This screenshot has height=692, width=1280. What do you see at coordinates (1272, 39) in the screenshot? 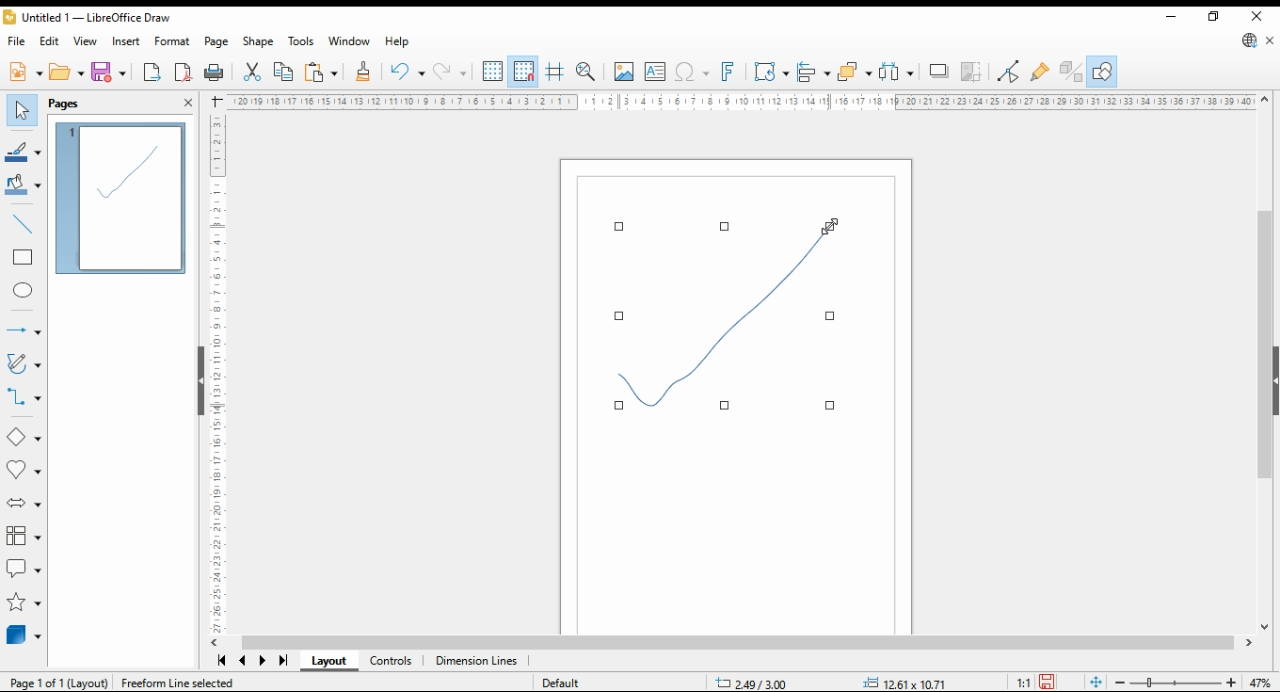
I see `close document` at bounding box center [1272, 39].